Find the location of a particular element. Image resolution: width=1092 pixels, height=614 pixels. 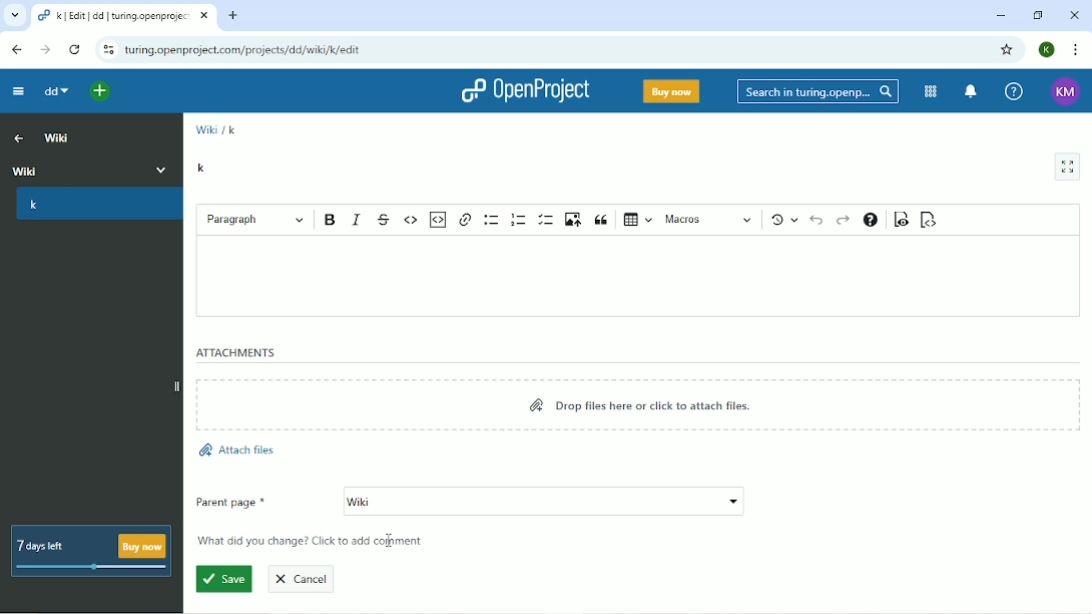

Cancel is located at coordinates (308, 577).